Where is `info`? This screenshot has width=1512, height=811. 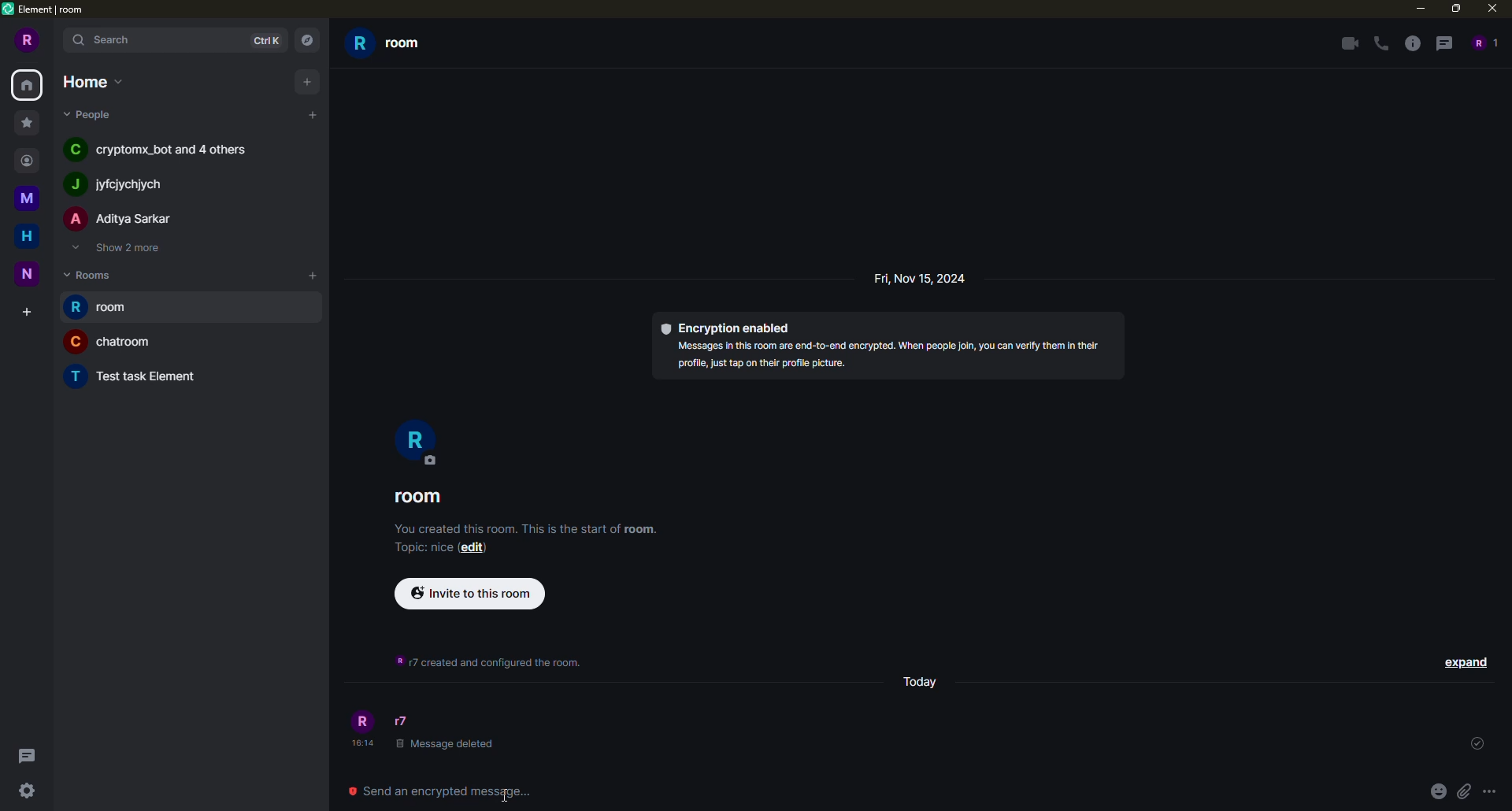 info is located at coordinates (492, 665).